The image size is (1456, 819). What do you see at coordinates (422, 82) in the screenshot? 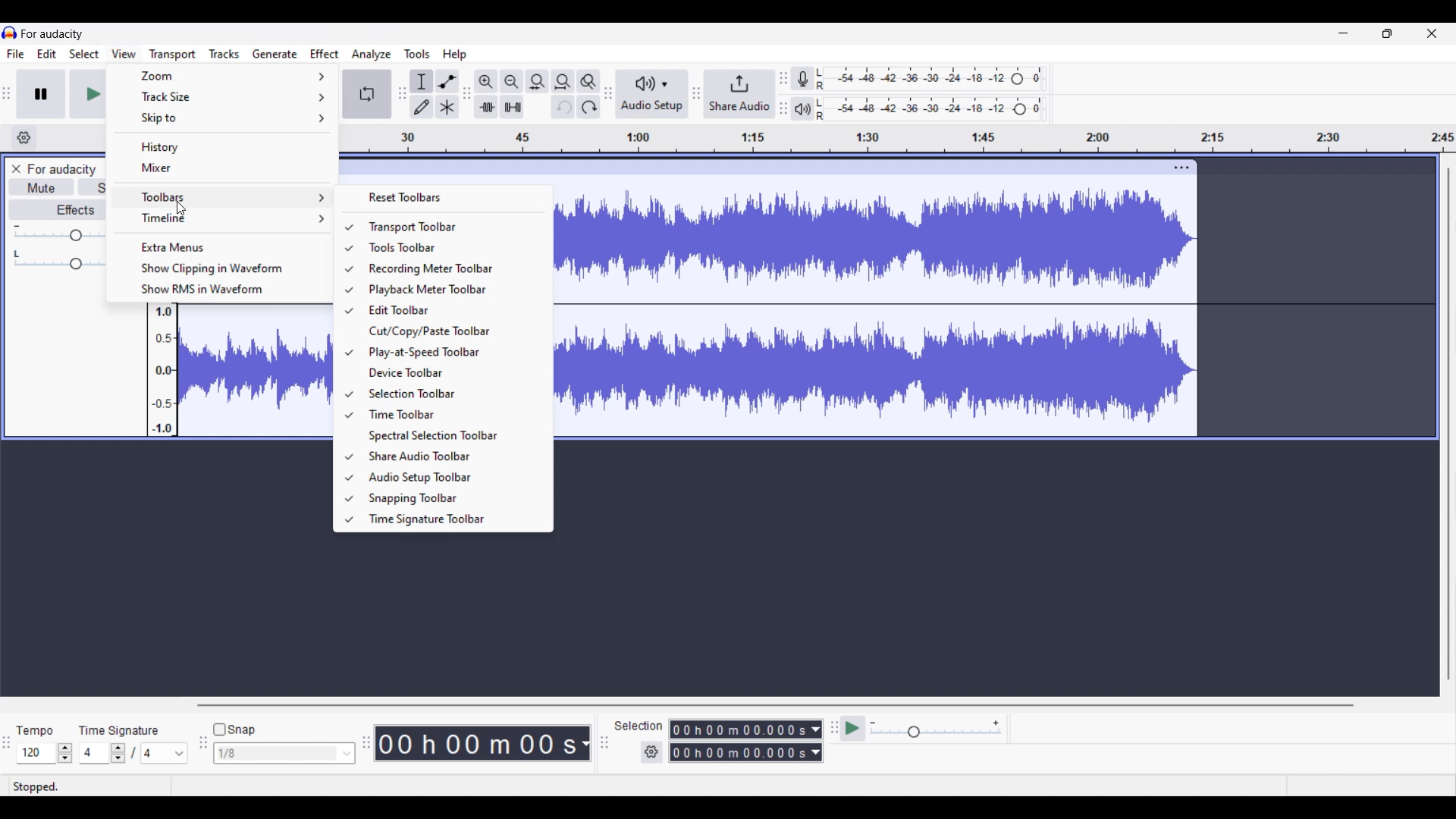
I see `Selection tool` at bounding box center [422, 82].